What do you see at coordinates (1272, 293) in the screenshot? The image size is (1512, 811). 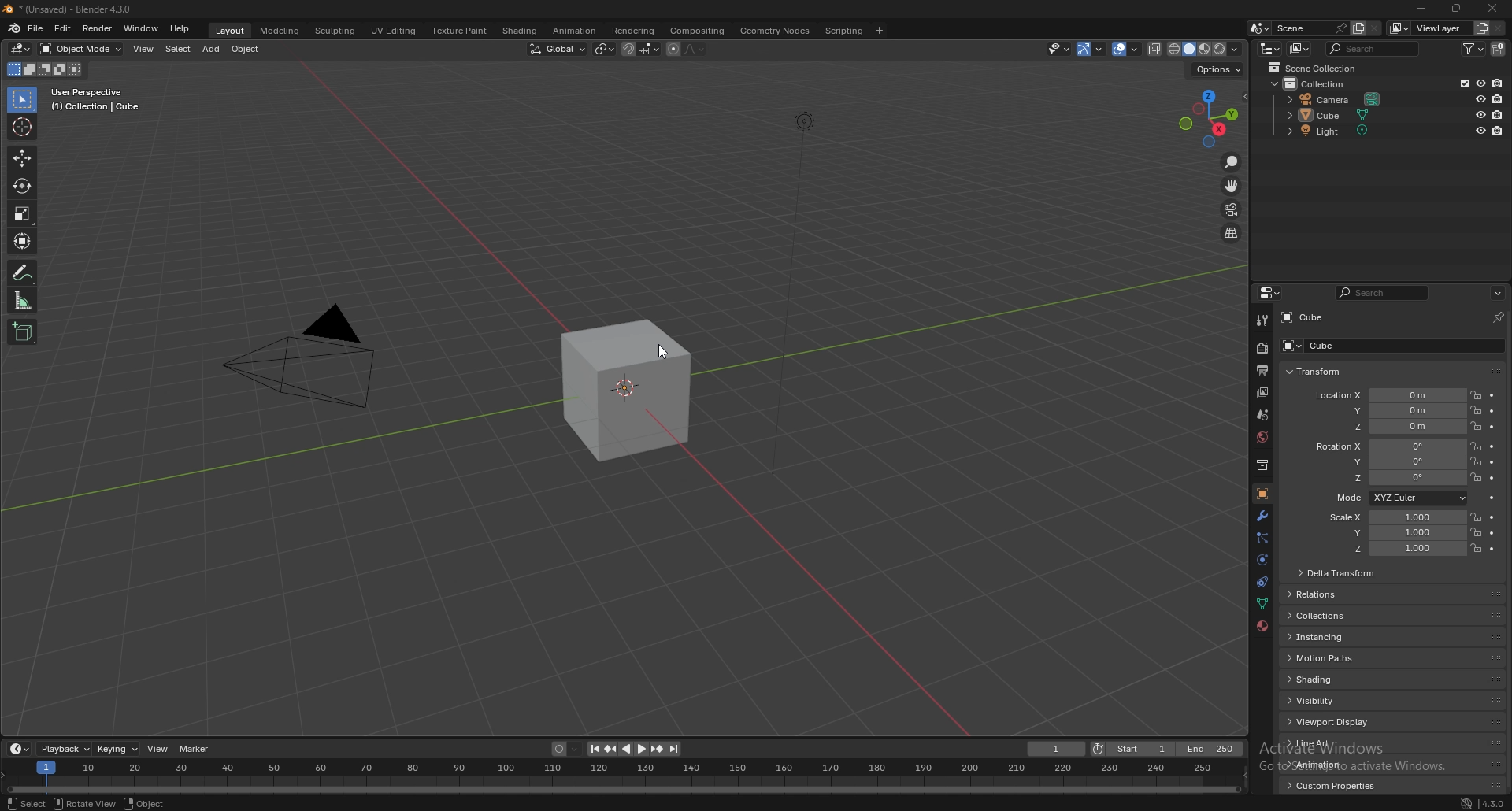 I see `editor type` at bounding box center [1272, 293].